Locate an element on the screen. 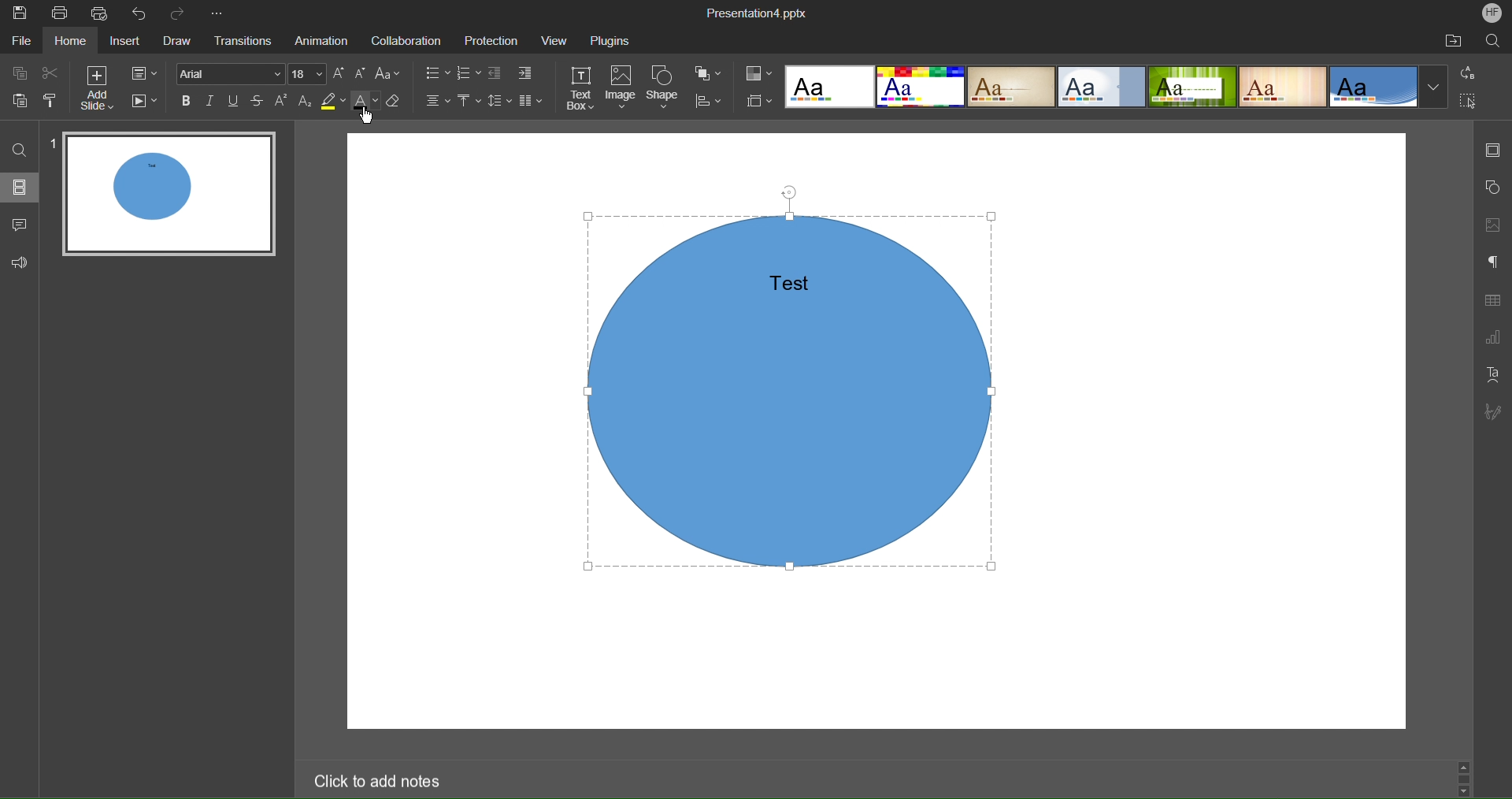  Cut is located at coordinates (54, 76).